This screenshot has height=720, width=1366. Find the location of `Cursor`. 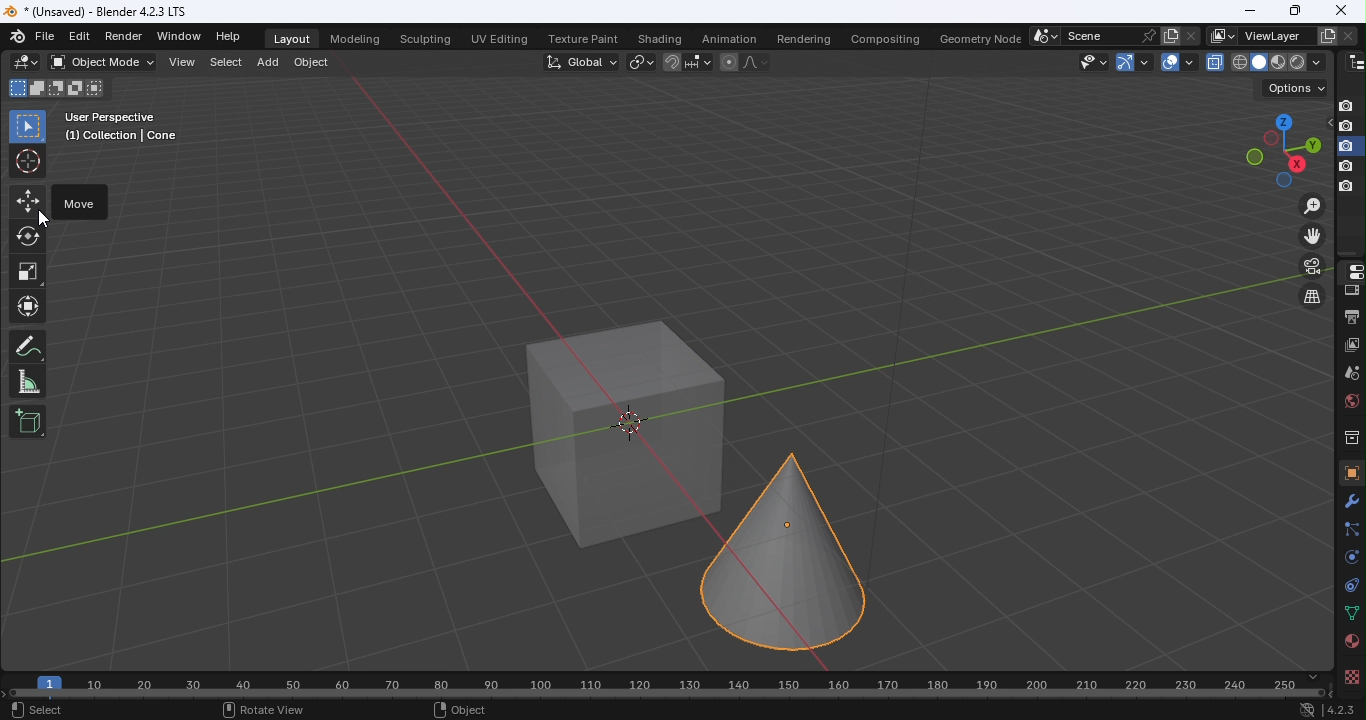

Cursor is located at coordinates (29, 162).